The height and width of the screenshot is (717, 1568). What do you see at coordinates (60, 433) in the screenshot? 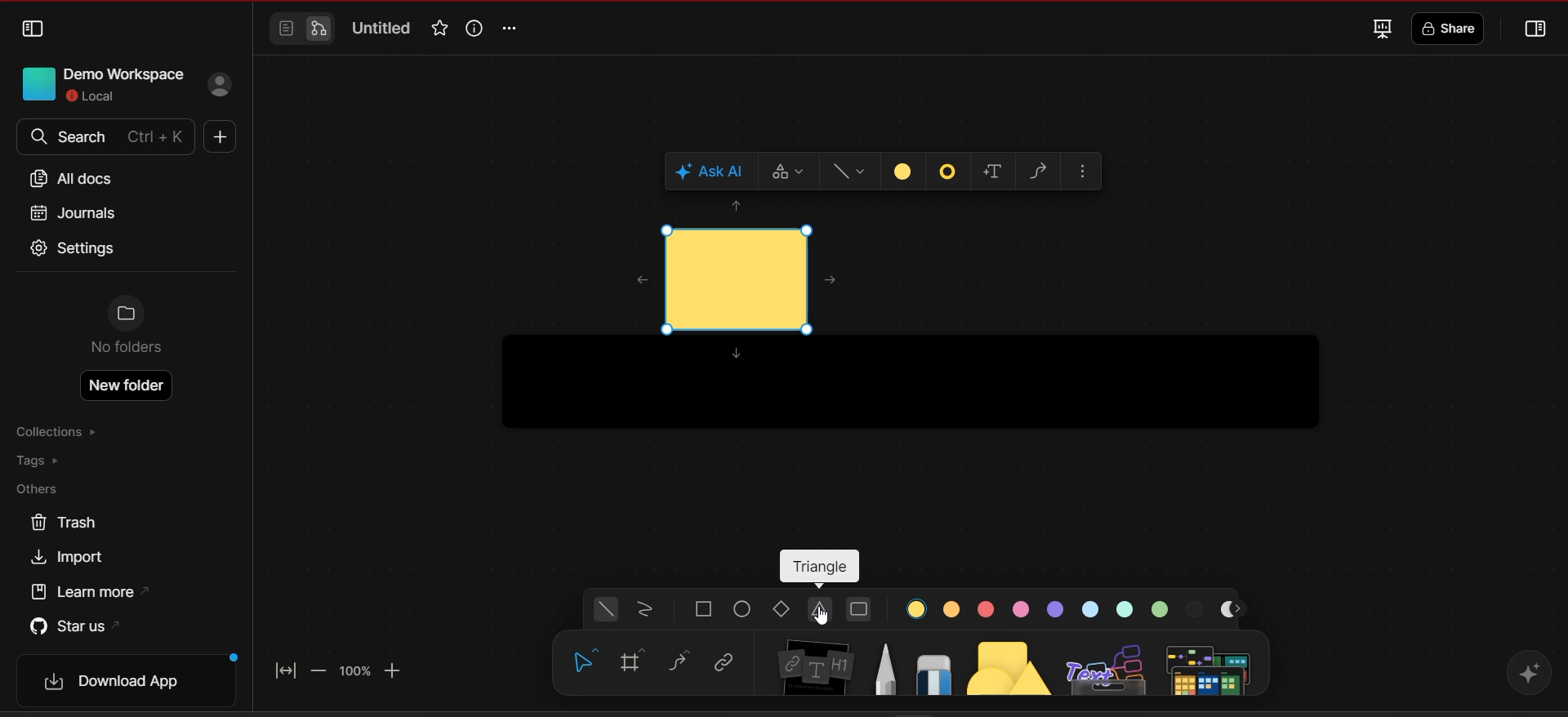
I see `collections` at bounding box center [60, 433].